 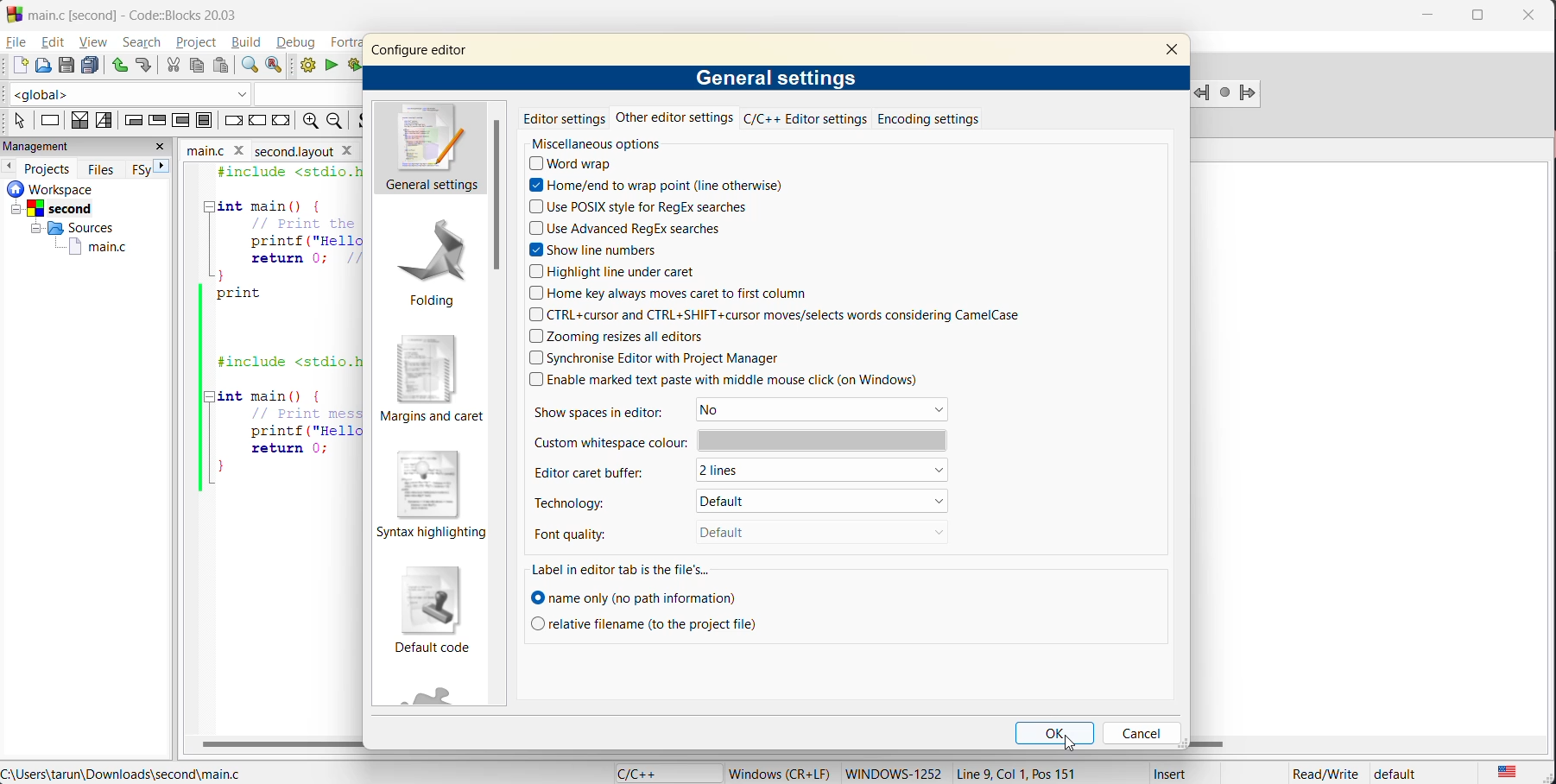 What do you see at coordinates (220, 67) in the screenshot?
I see `paste` at bounding box center [220, 67].